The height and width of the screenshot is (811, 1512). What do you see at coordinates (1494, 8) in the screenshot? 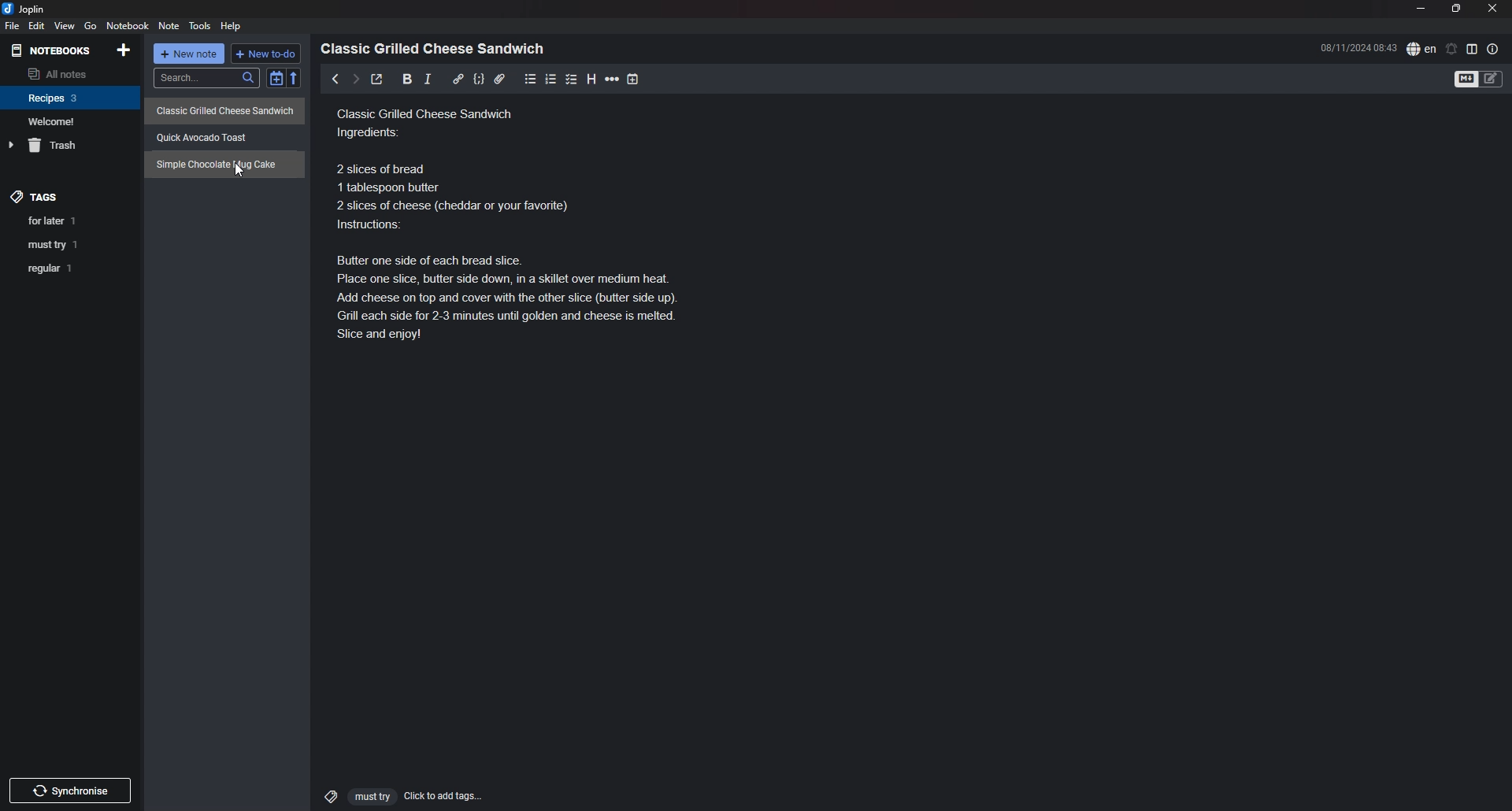
I see `close` at bounding box center [1494, 8].